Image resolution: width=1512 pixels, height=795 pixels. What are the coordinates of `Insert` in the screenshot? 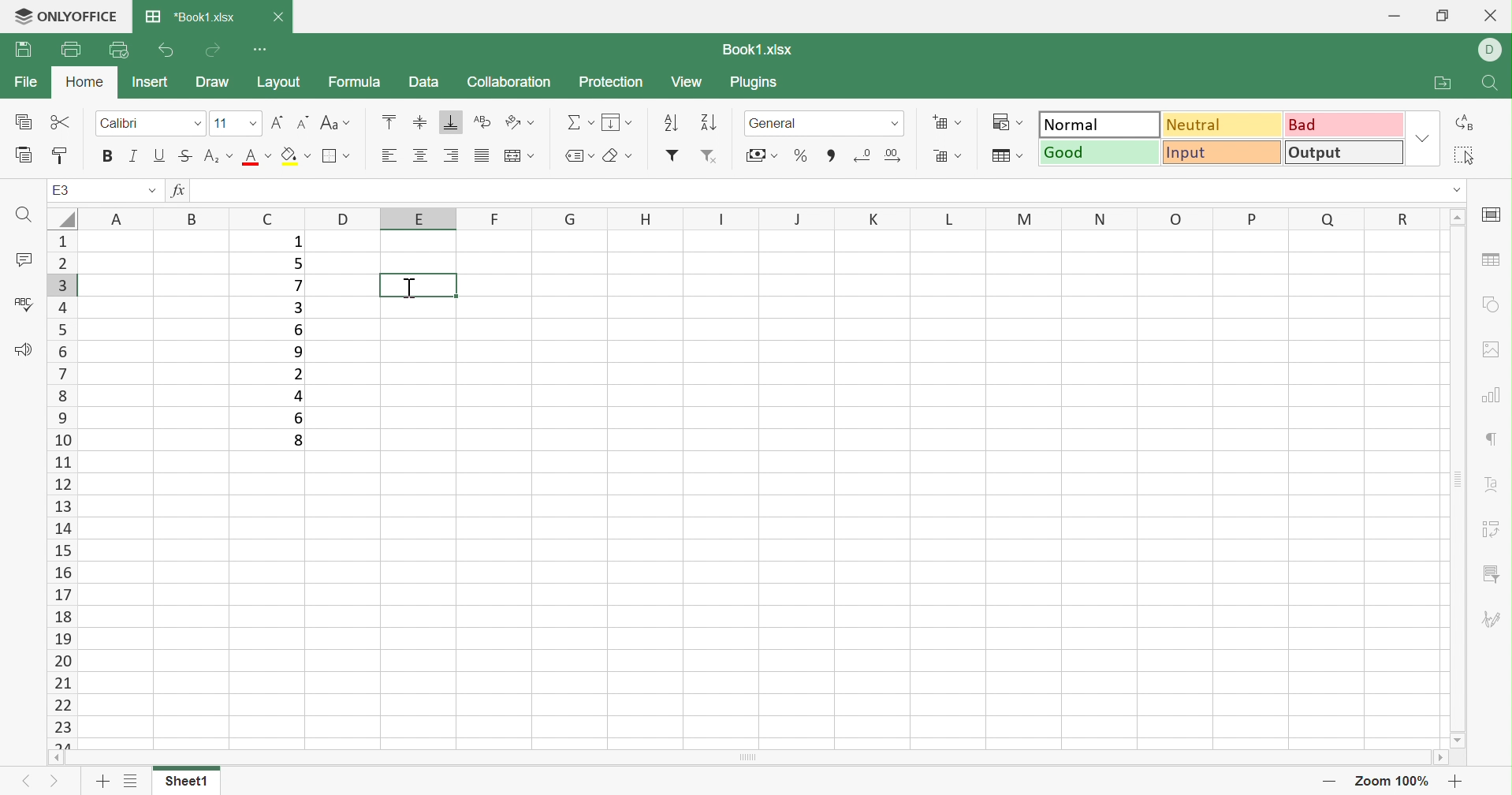 It's located at (148, 82).